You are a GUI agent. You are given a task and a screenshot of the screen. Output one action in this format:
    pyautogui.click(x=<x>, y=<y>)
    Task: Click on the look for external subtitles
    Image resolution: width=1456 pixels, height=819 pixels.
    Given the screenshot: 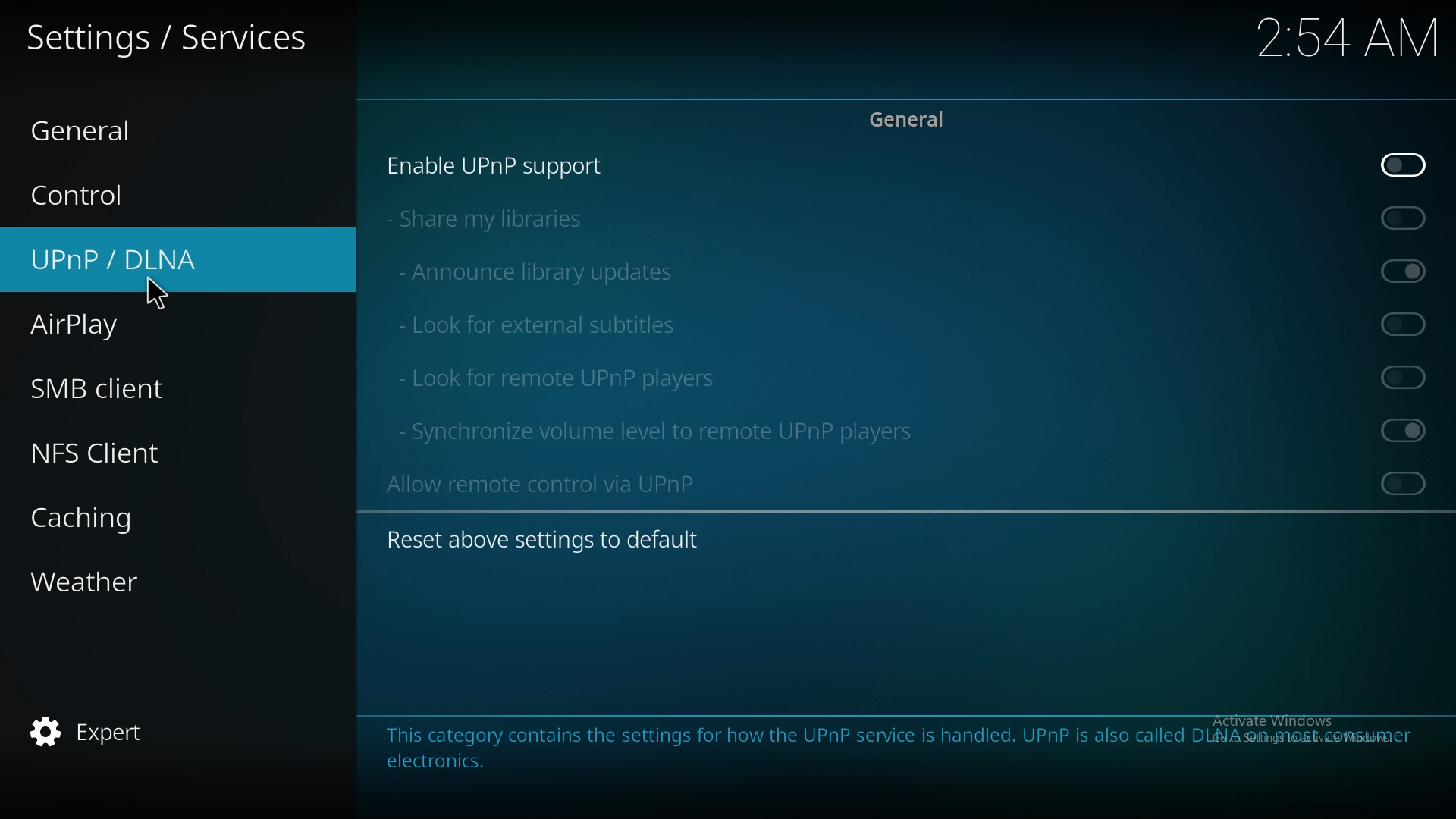 What is the action you would take?
    pyautogui.click(x=557, y=322)
    